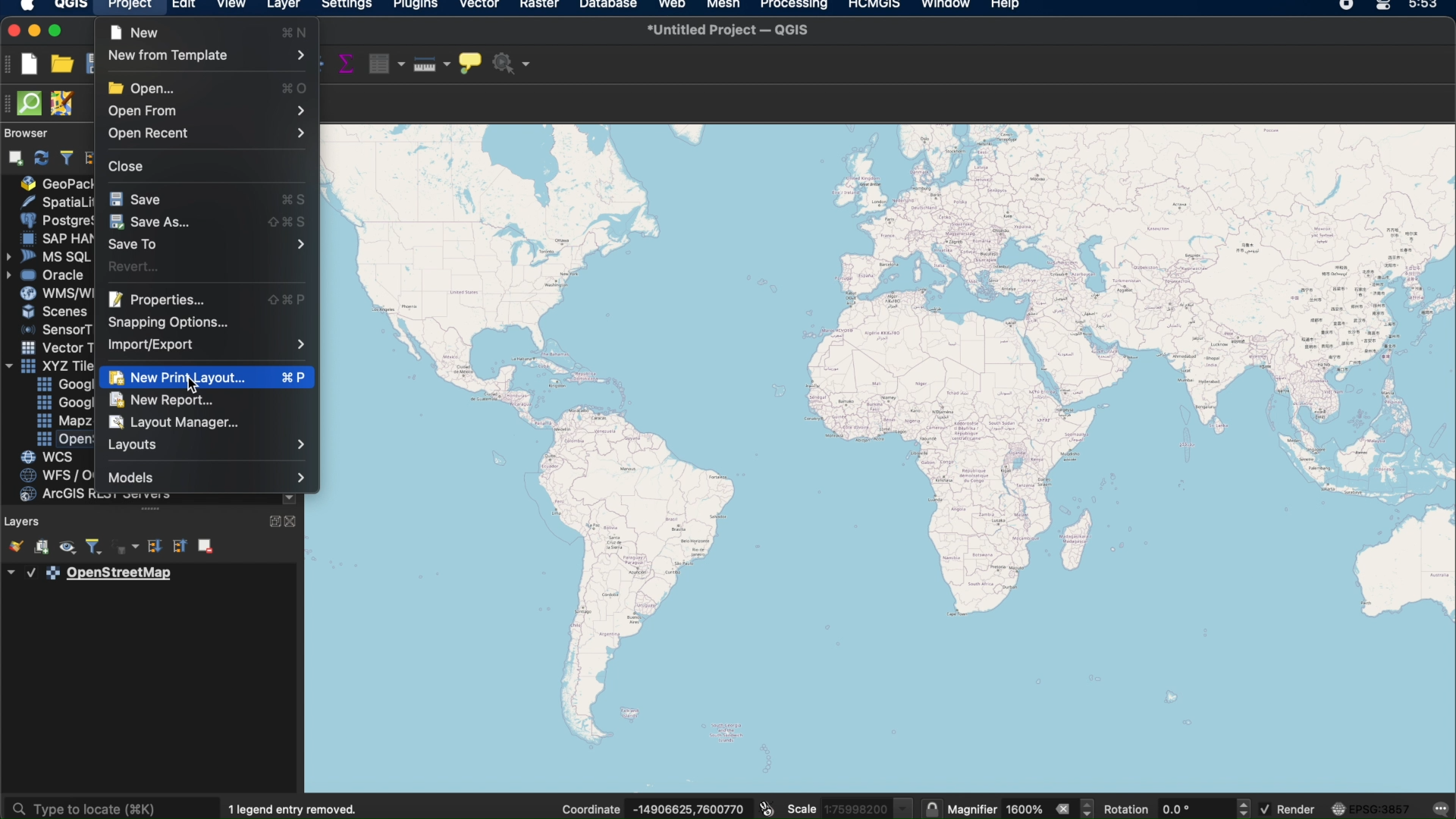 This screenshot has height=819, width=1456. I want to click on untitled project QGIS, so click(733, 30).